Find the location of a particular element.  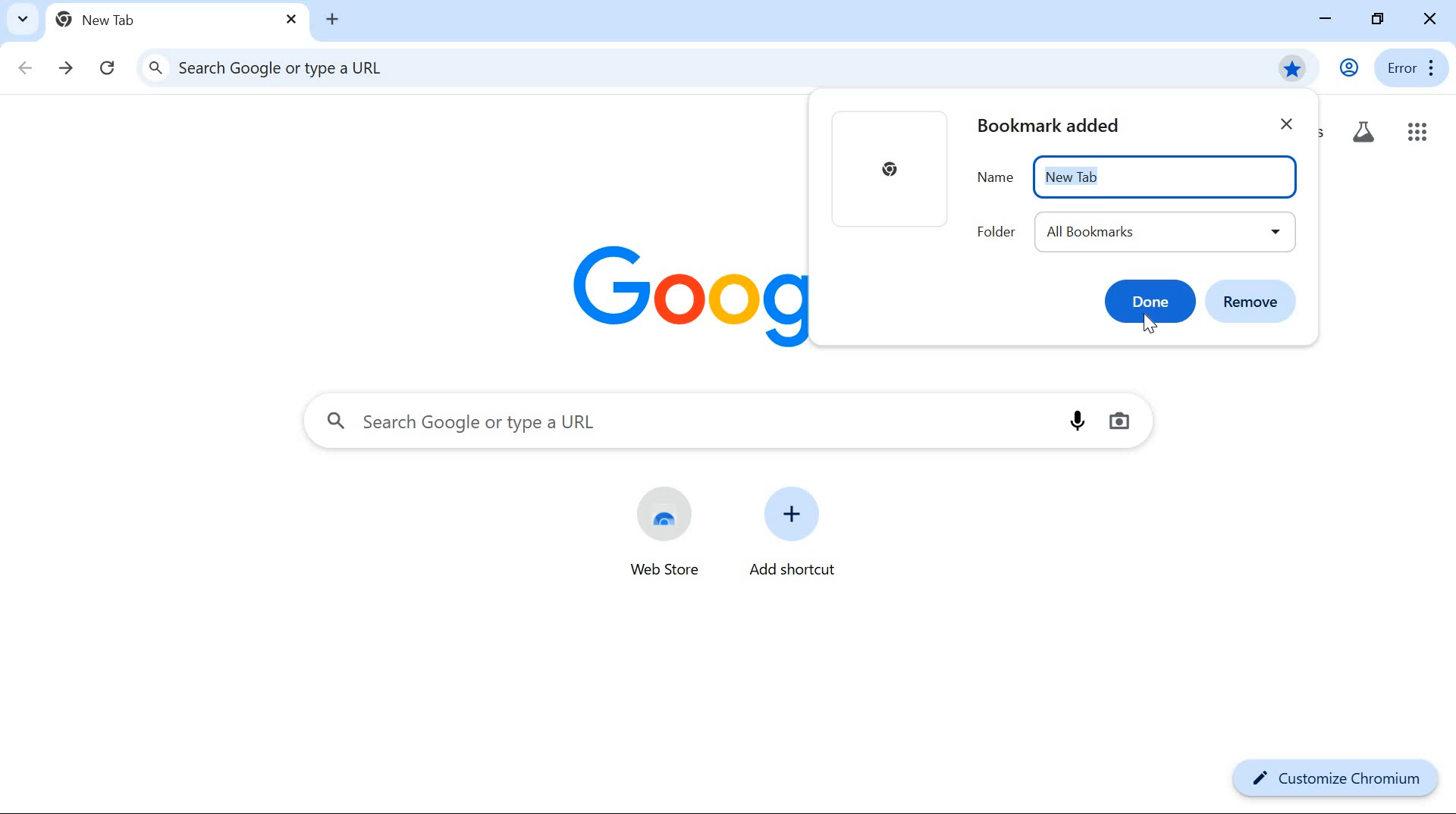

close is located at coordinates (1285, 121).